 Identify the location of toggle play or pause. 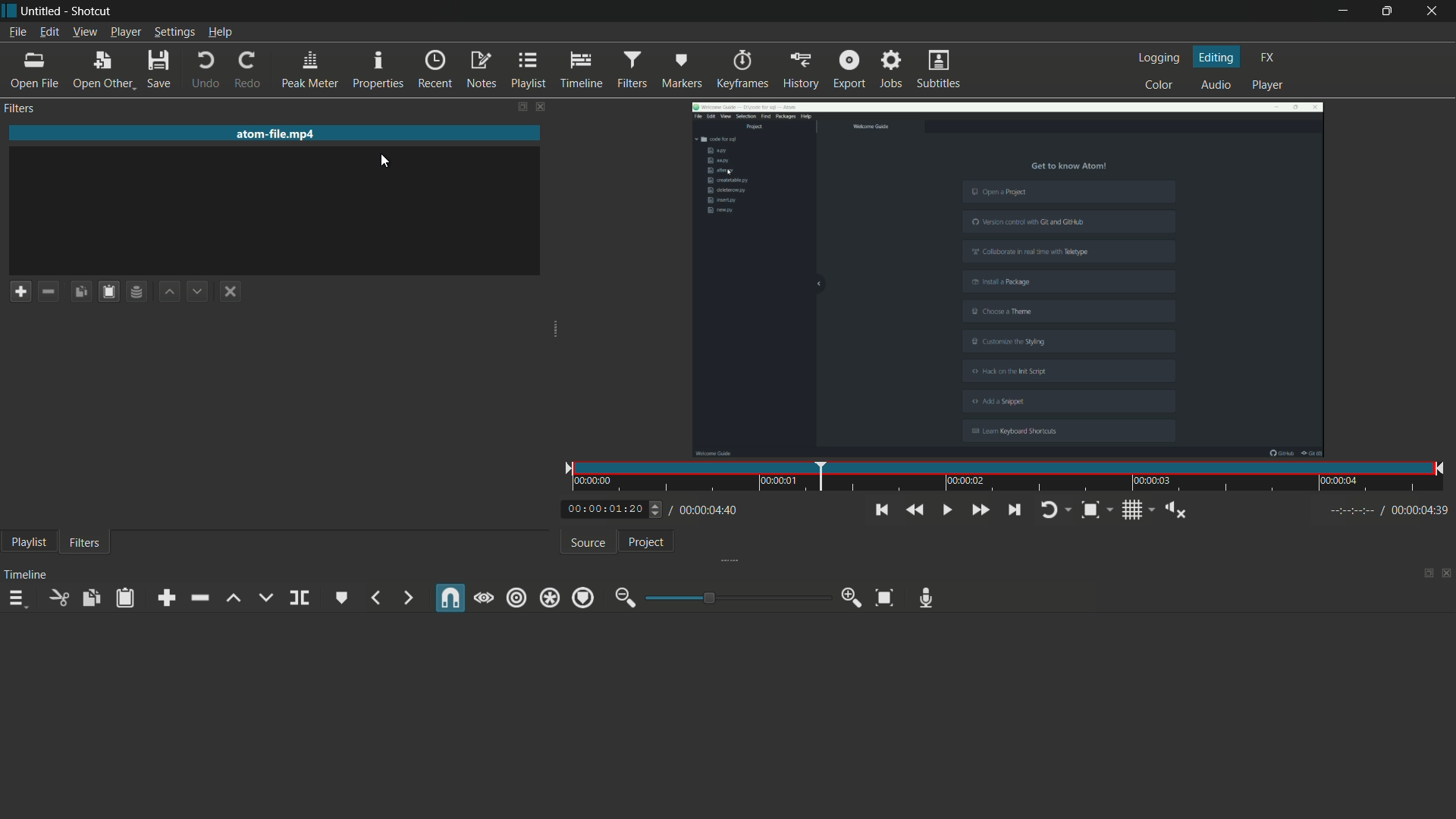
(946, 510).